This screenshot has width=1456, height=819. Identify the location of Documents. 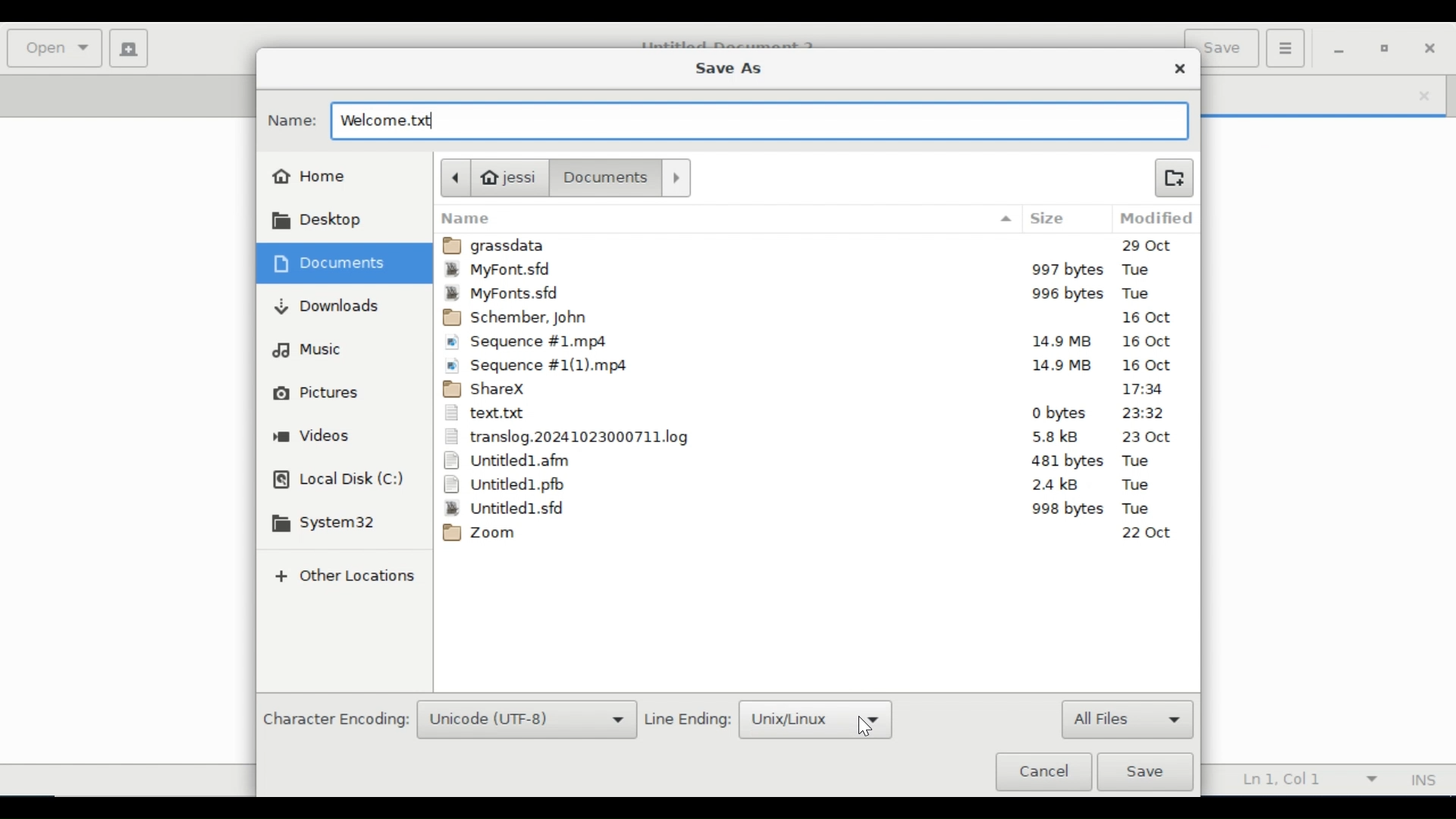
(331, 262).